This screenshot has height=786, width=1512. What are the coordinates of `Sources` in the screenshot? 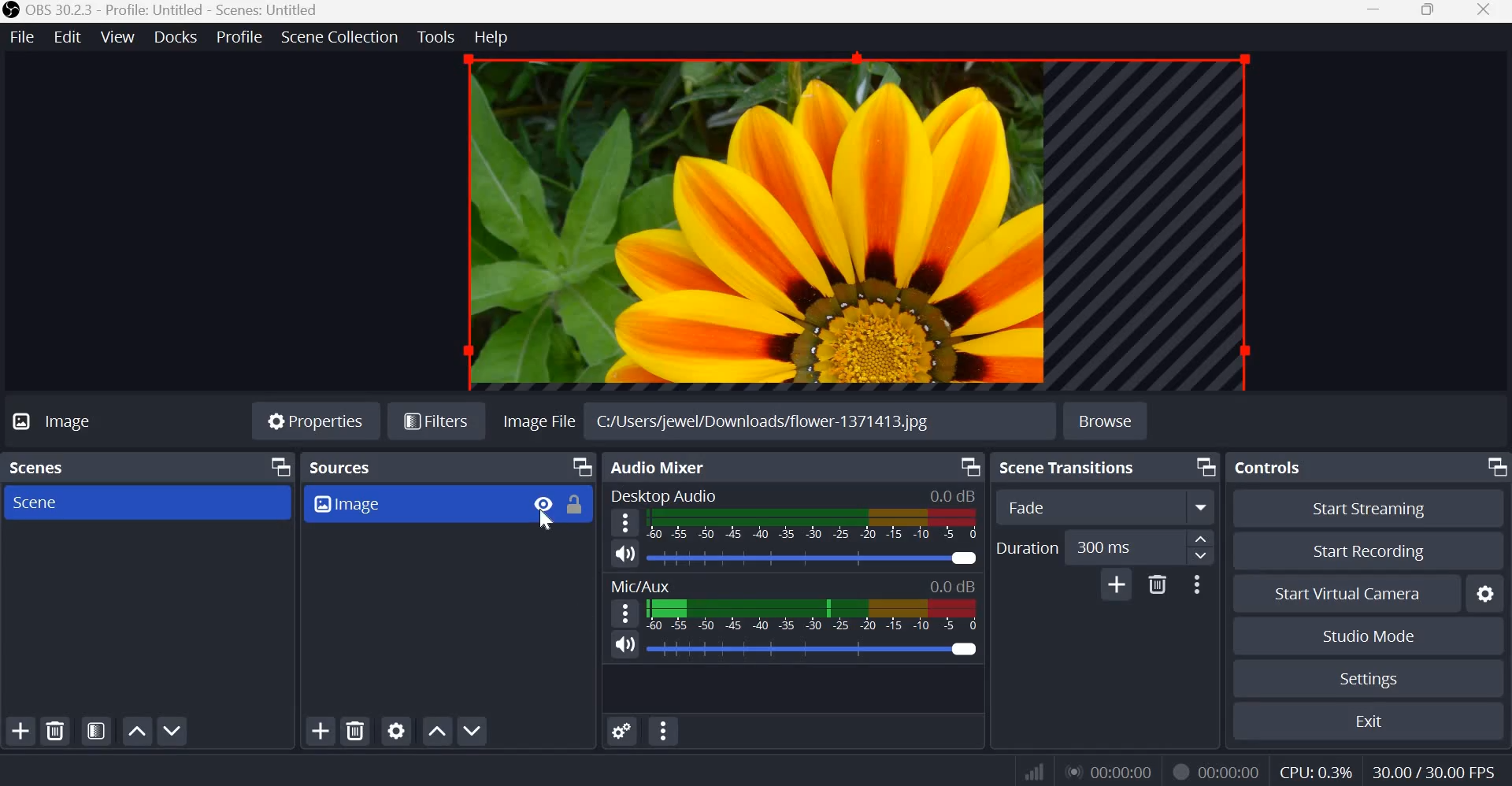 It's located at (344, 465).